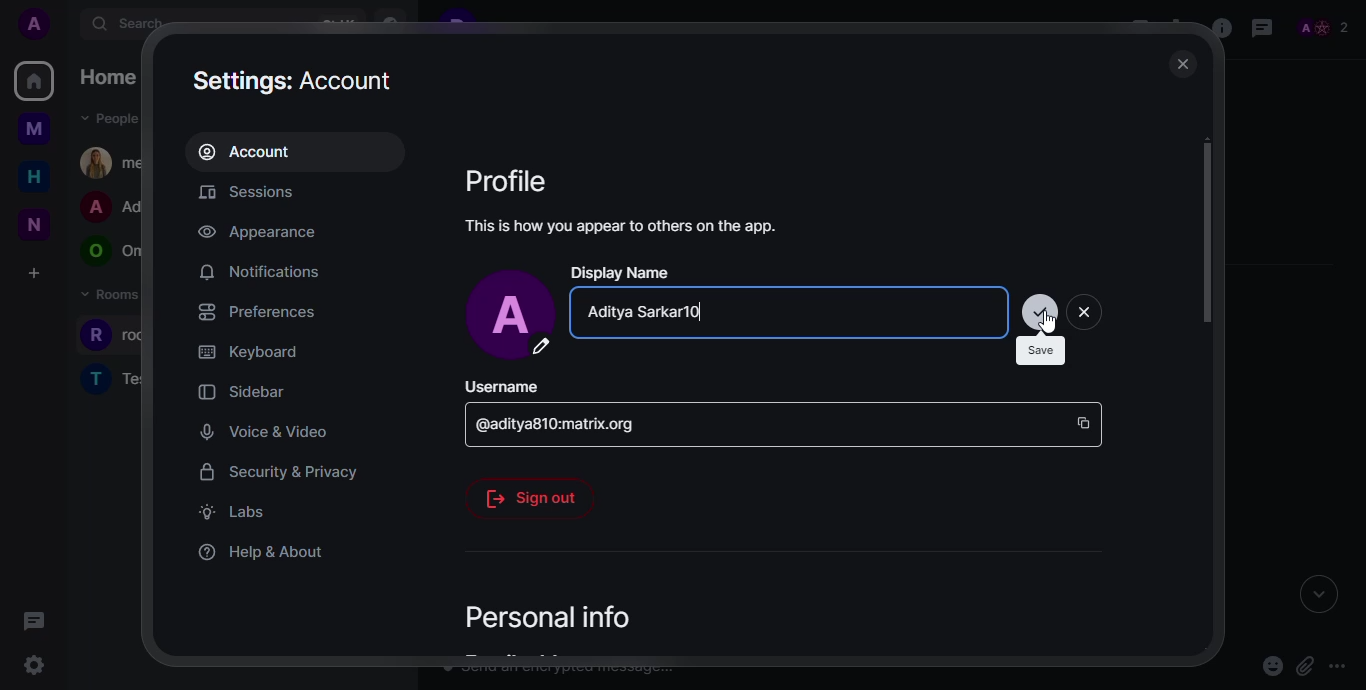 The width and height of the screenshot is (1366, 690). What do you see at coordinates (502, 388) in the screenshot?
I see `username` at bounding box center [502, 388].